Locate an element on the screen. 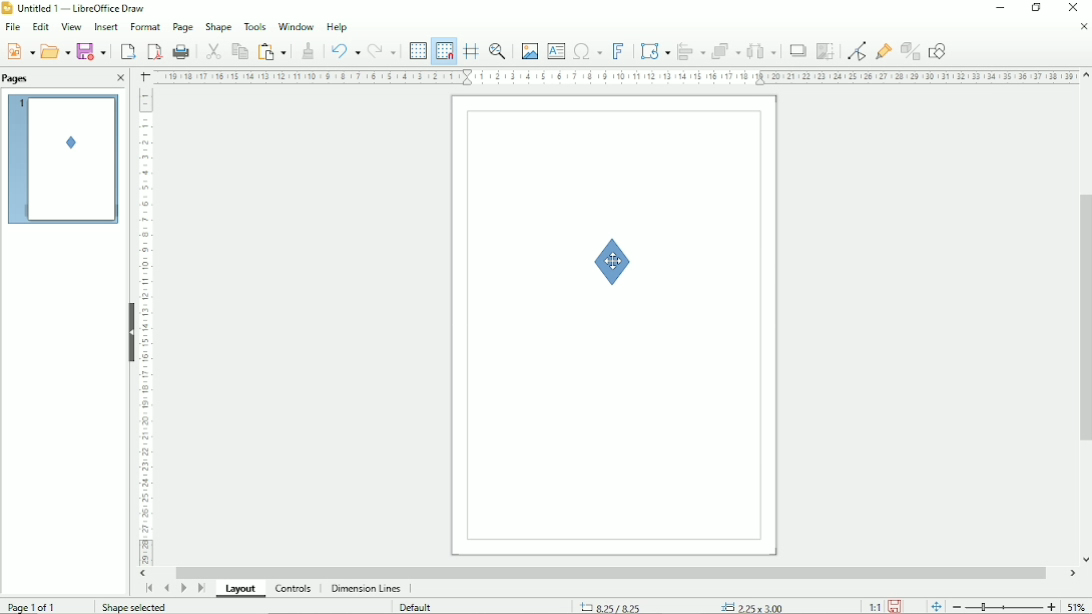 This screenshot has width=1092, height=614. Cursor is located at coordinates (613, 261).